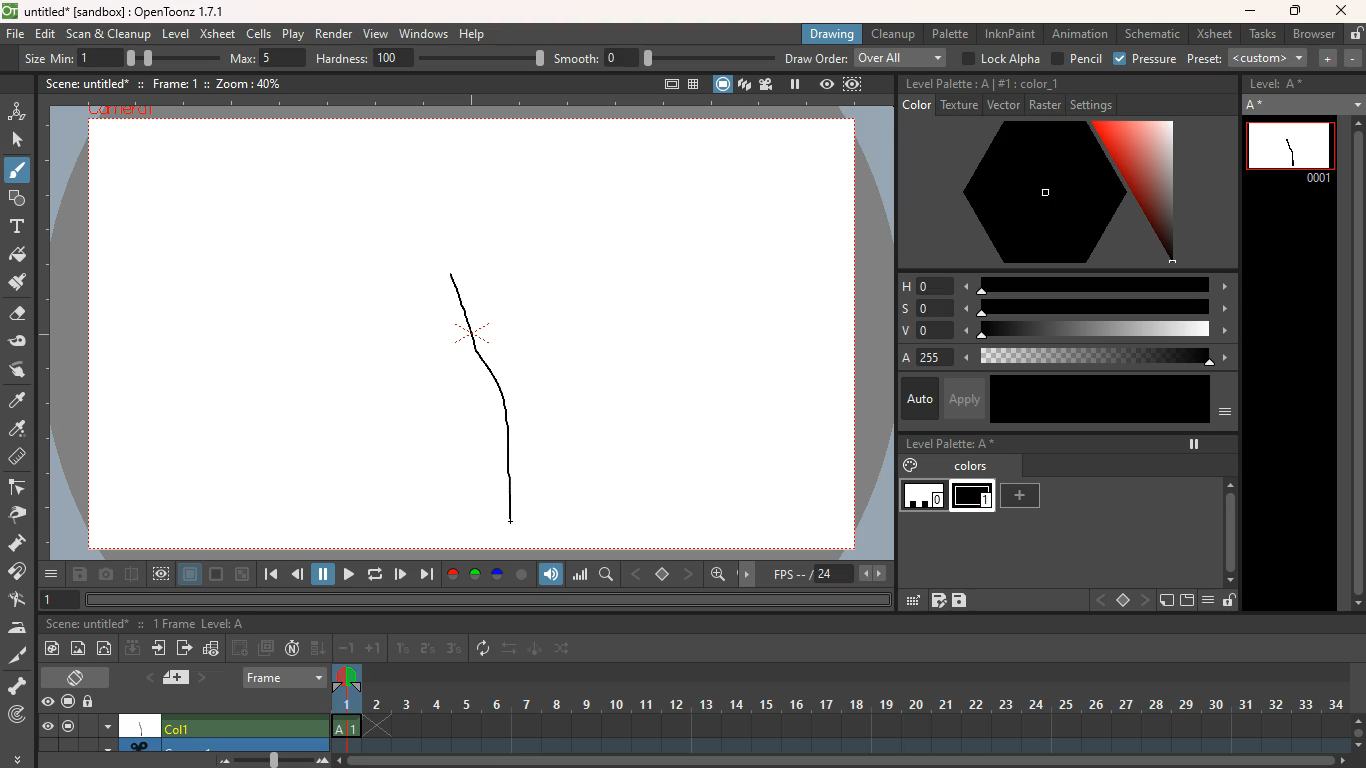  I want to click on canvas, so click(141, 725).